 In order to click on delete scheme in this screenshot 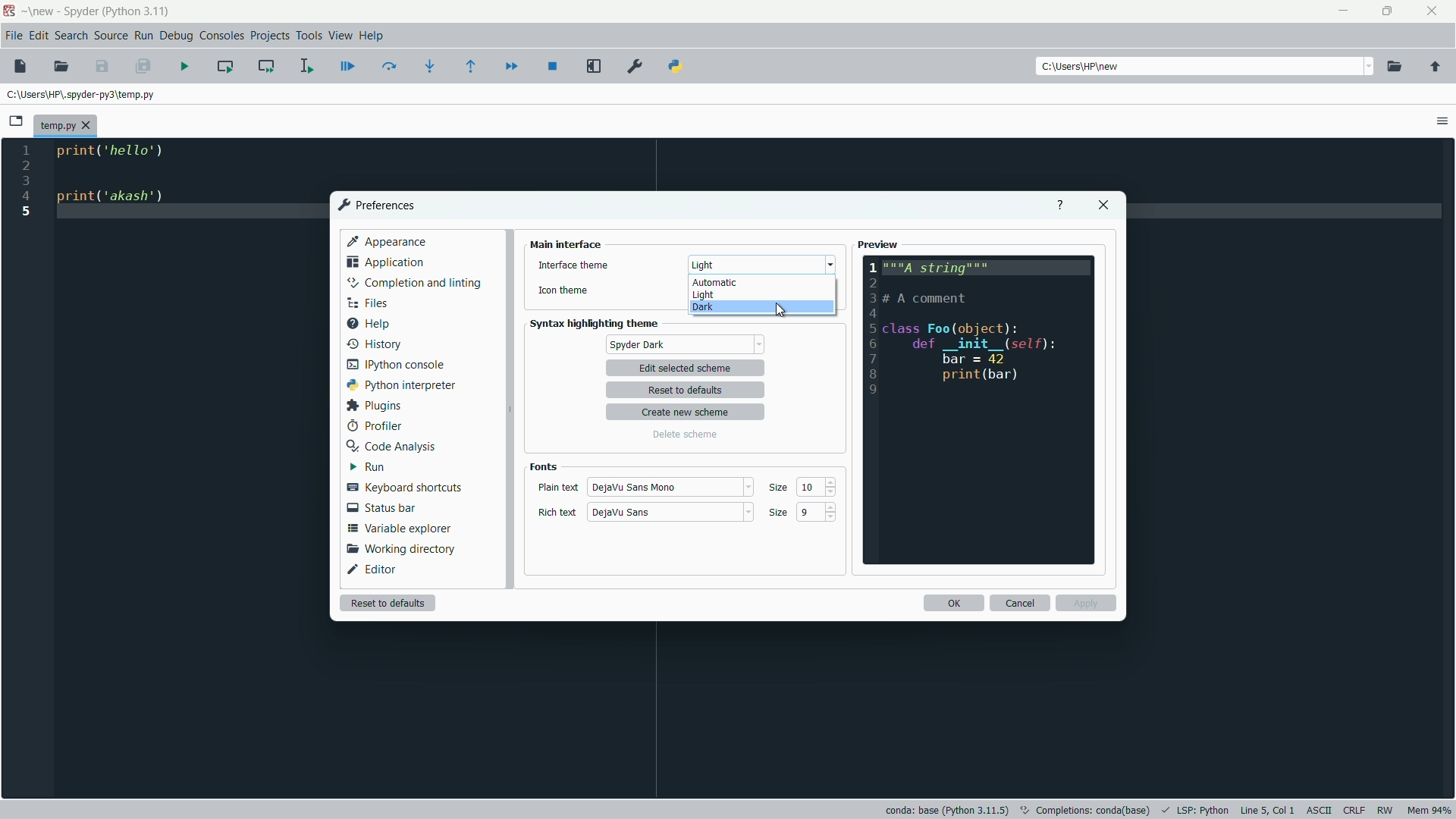, I will do `click(684, 435)`.